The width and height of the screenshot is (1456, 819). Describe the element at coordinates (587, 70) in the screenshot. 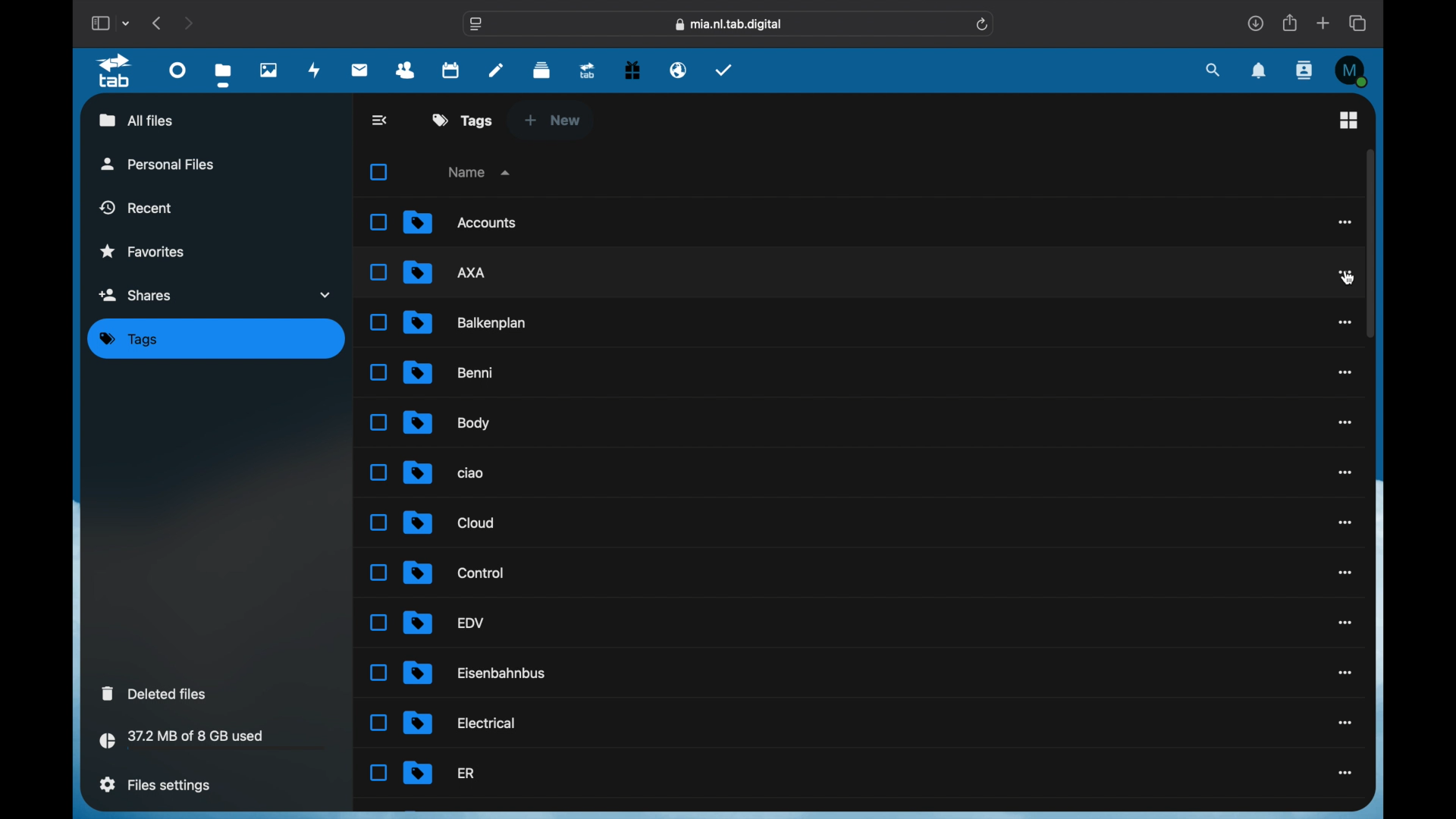

I see `upgrade` at that location.